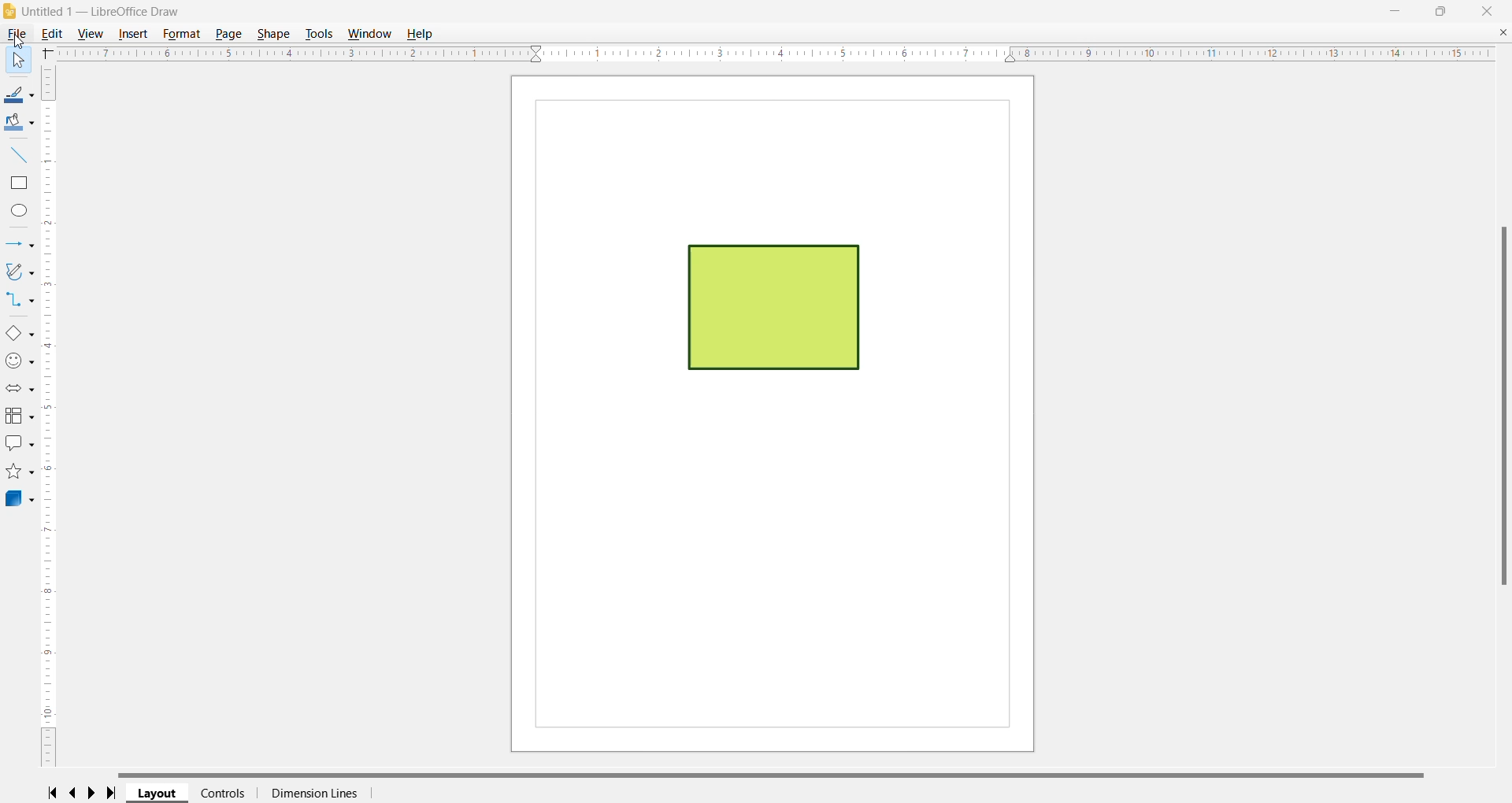  Describe the element at coordinates (223, 793) in the screenshot. I see `Controls` at that location.